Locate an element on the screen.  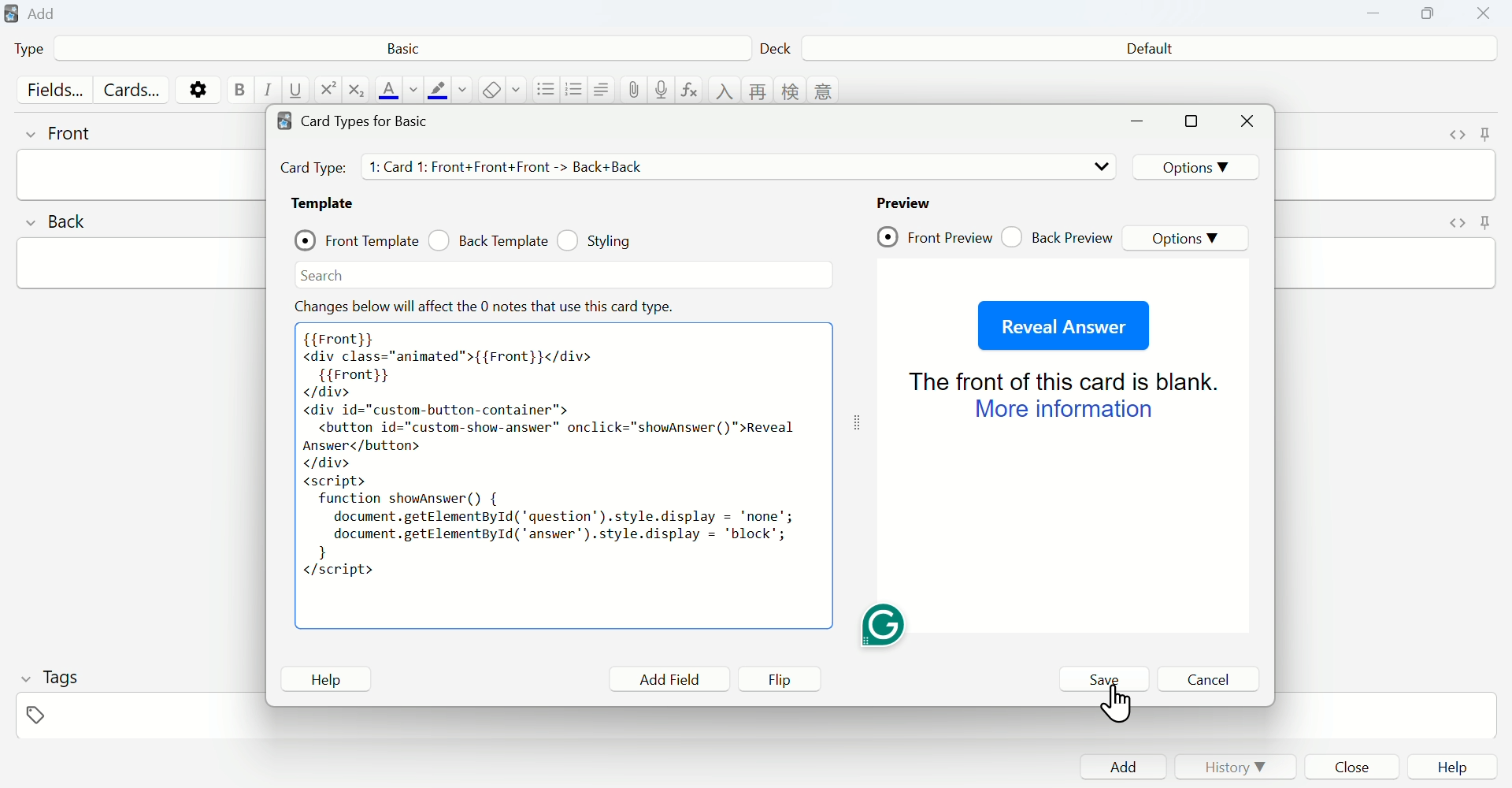
Front Template is located at coordinates (354, 239).